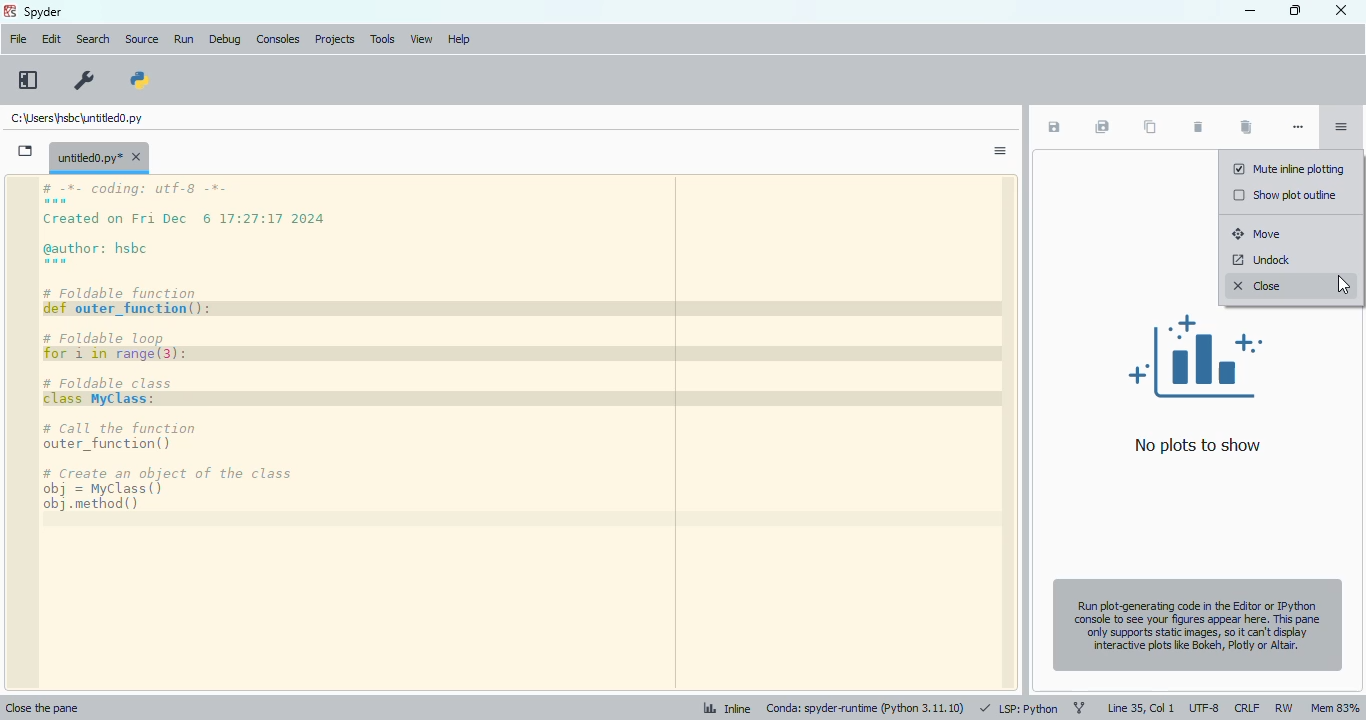 The image size is (1366, 720). Describe the element at coordinates (1340, 127) in the screenshot. I see `options` at that location.